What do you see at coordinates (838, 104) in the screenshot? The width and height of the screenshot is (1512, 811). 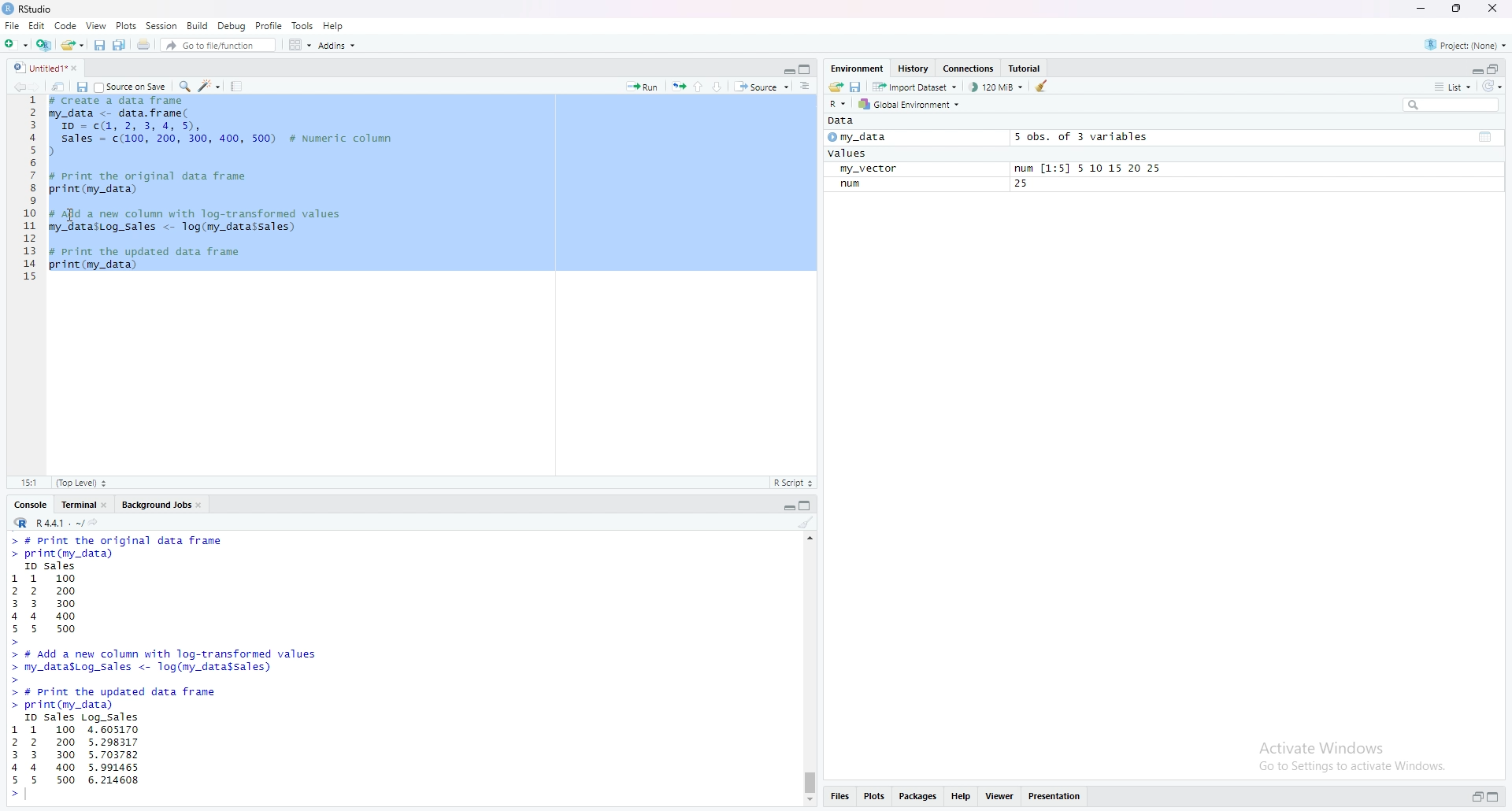 I see `language change` at bounding box center [838, 104].